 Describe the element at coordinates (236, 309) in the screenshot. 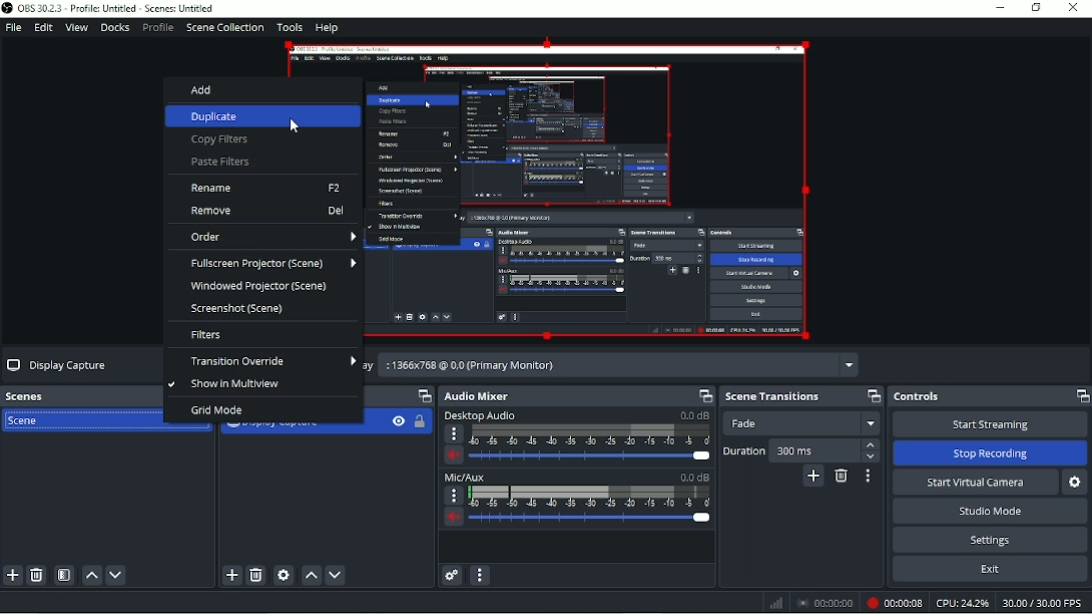

I see `Screenshot (Scene)` at that location.